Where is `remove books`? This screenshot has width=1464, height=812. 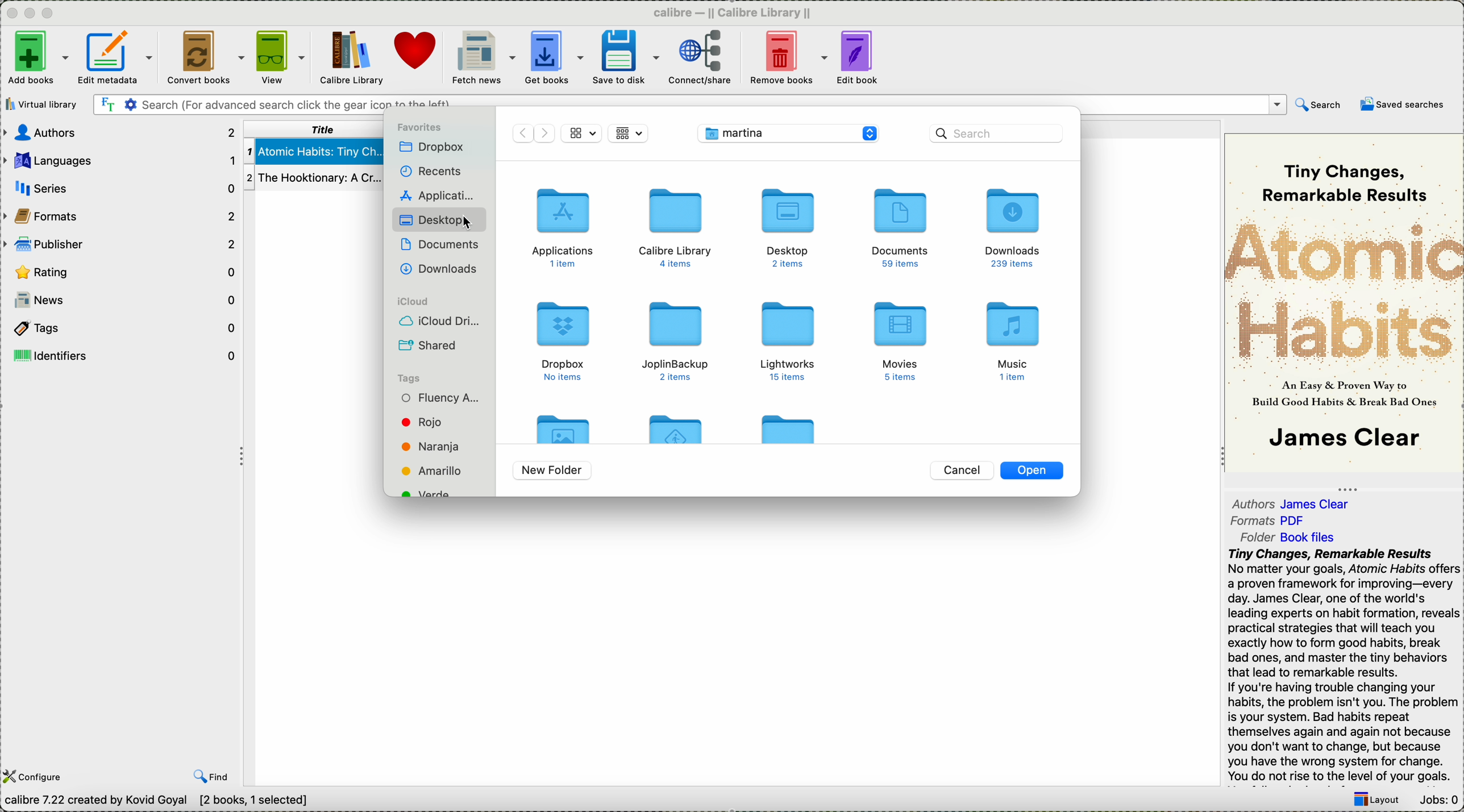
remove books is located at coordinates (788, 57).